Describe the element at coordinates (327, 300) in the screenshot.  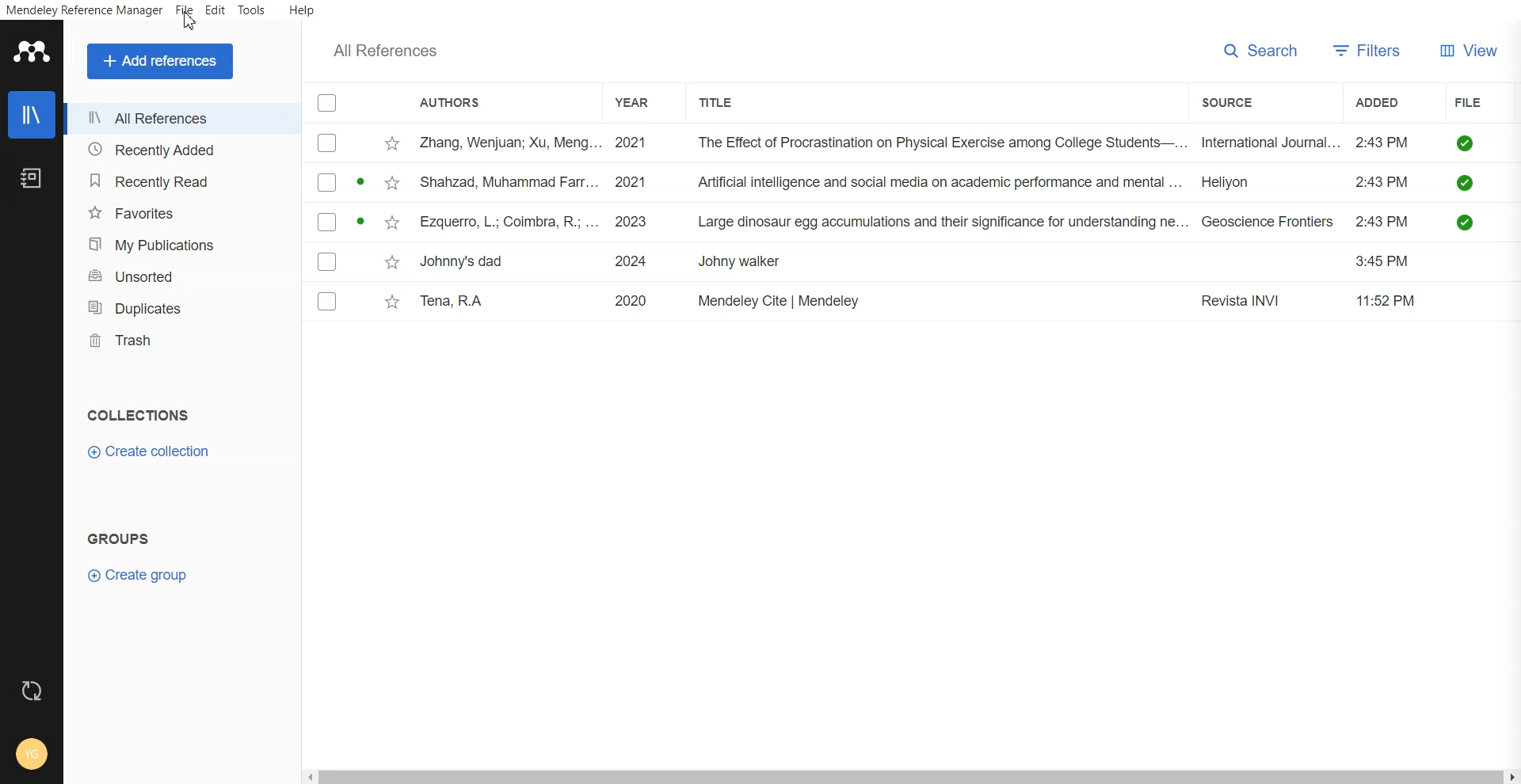
I see `checkbox` at that location.